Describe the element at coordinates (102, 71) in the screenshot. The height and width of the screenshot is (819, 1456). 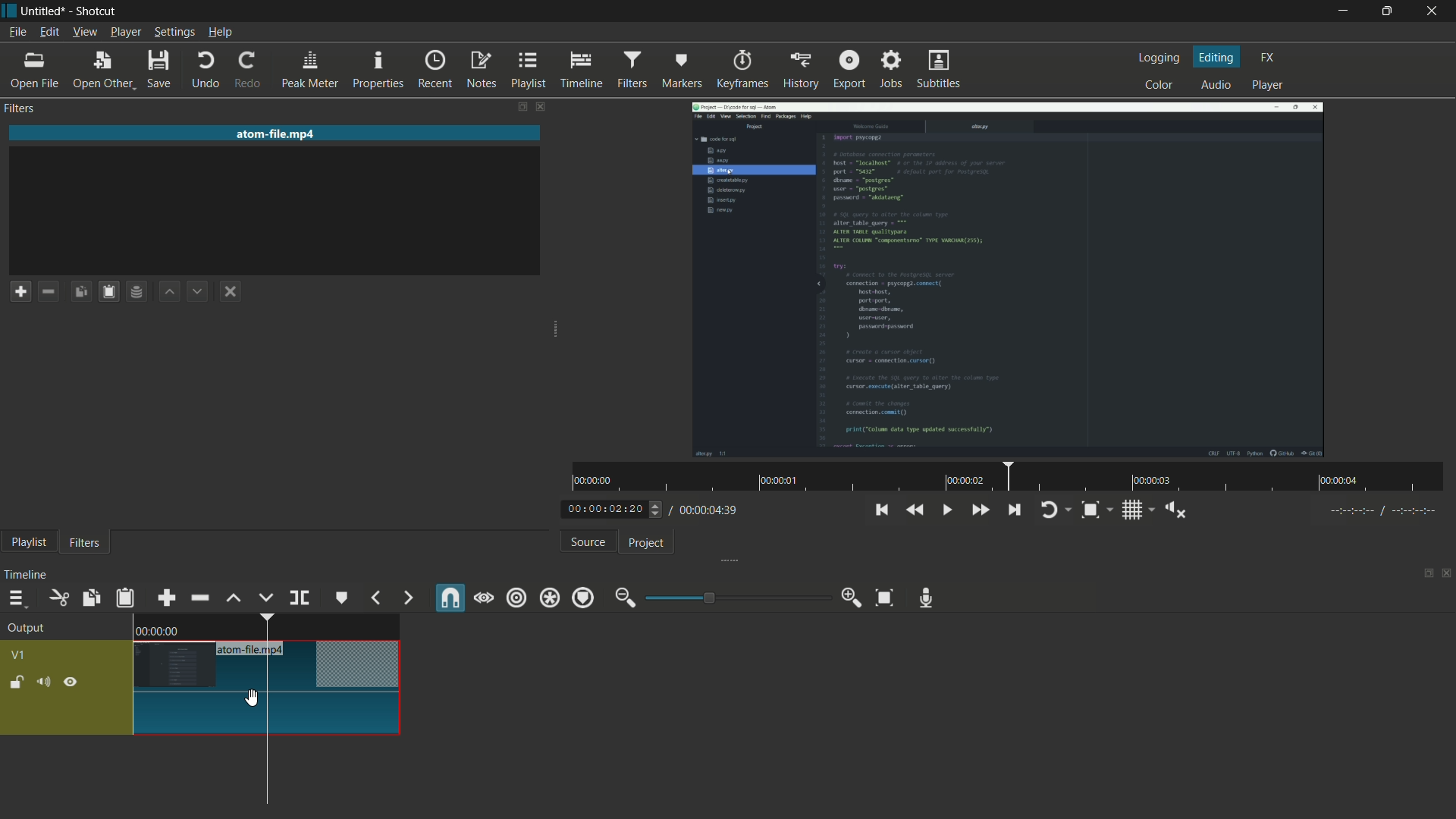
I see `open other` at that location.